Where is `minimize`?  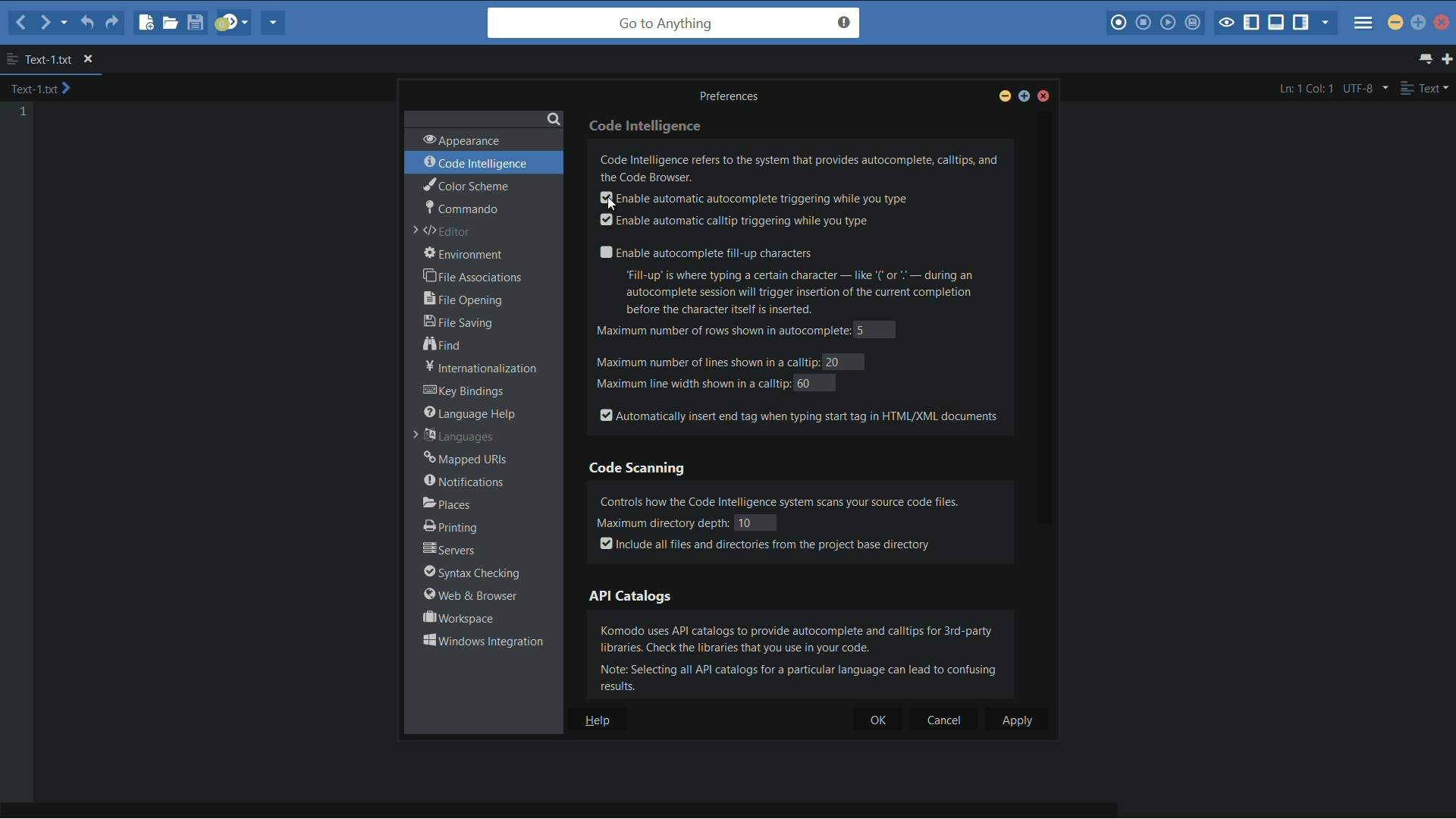 minimize is located at coordinates (1395, 21).